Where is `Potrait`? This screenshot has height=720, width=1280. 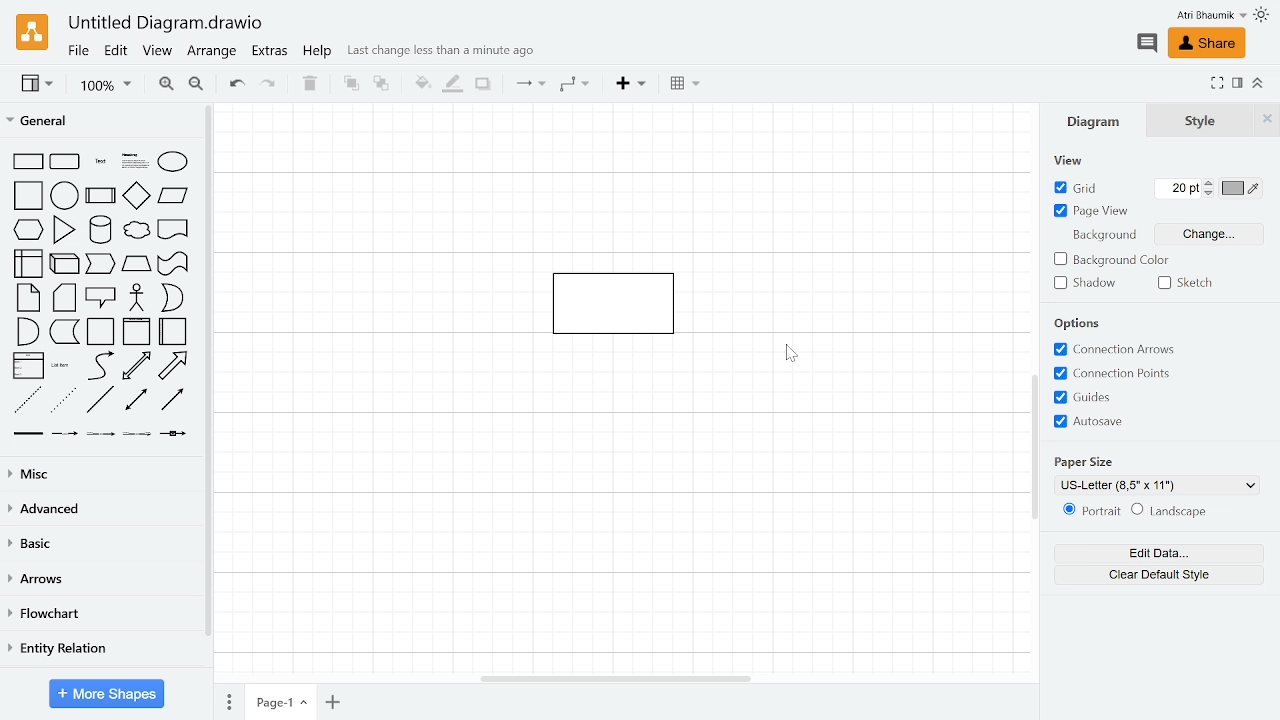 Potrait is located at coordinates (1090, 510).